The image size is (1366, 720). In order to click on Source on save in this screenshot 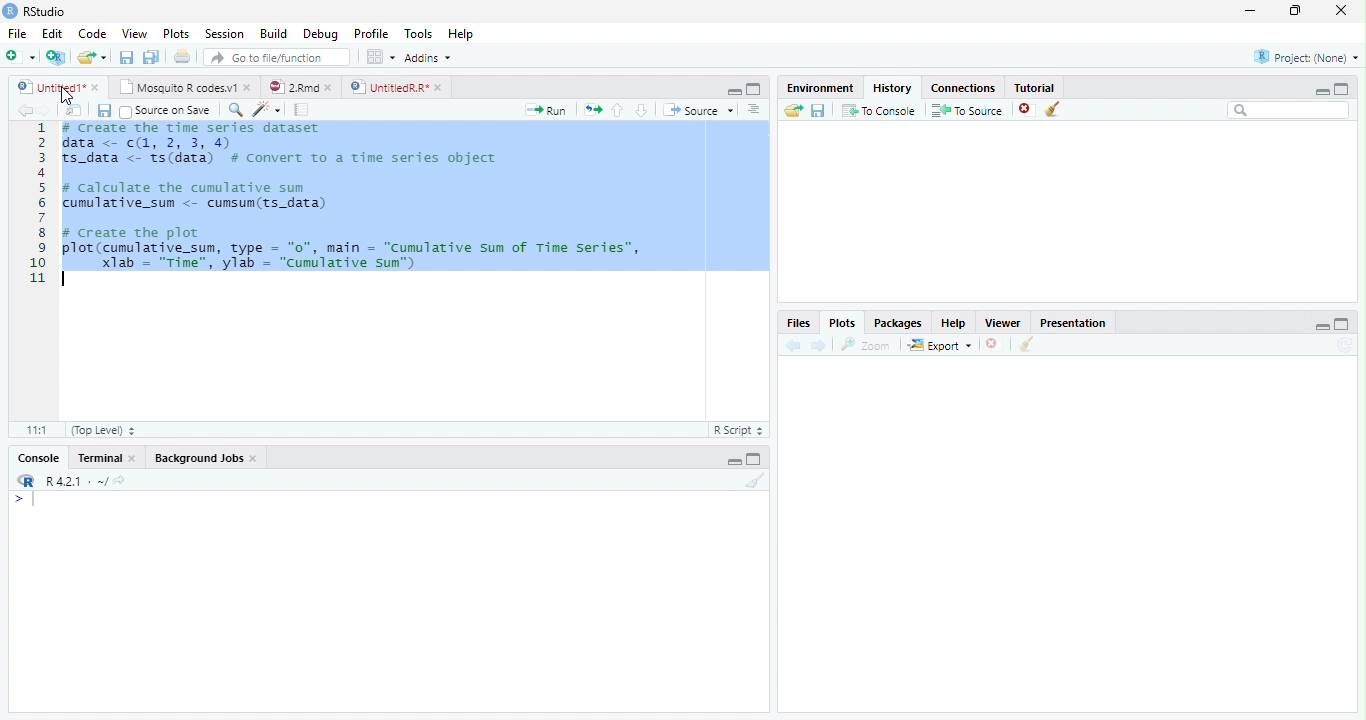, I will do `click(167, 112)`.